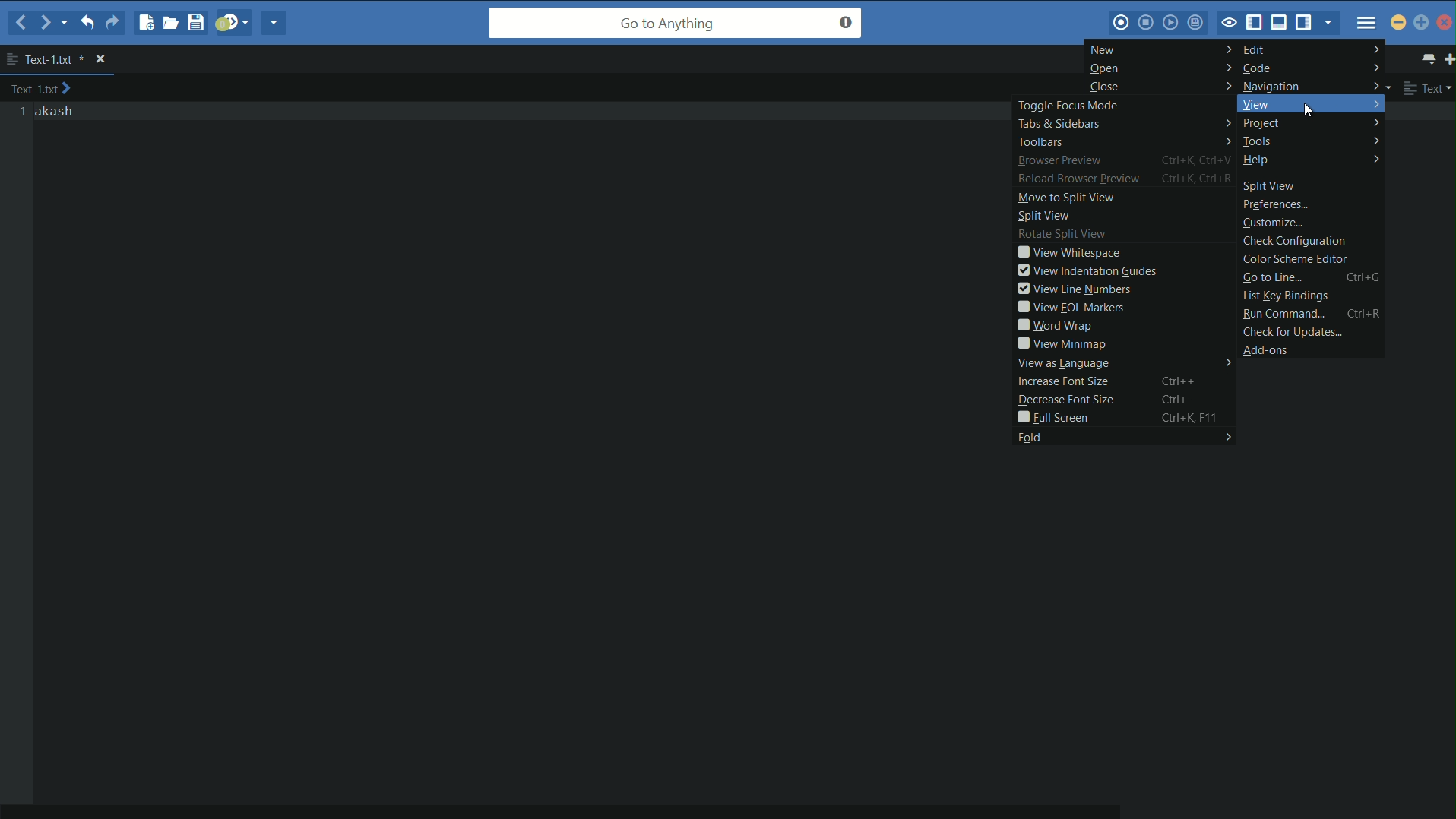 The width and height of the screenshot is (1456, 819). What do you see at coordinates (144, 22) in the screenshot?
I see `new file` at bounding box center [144, 22].